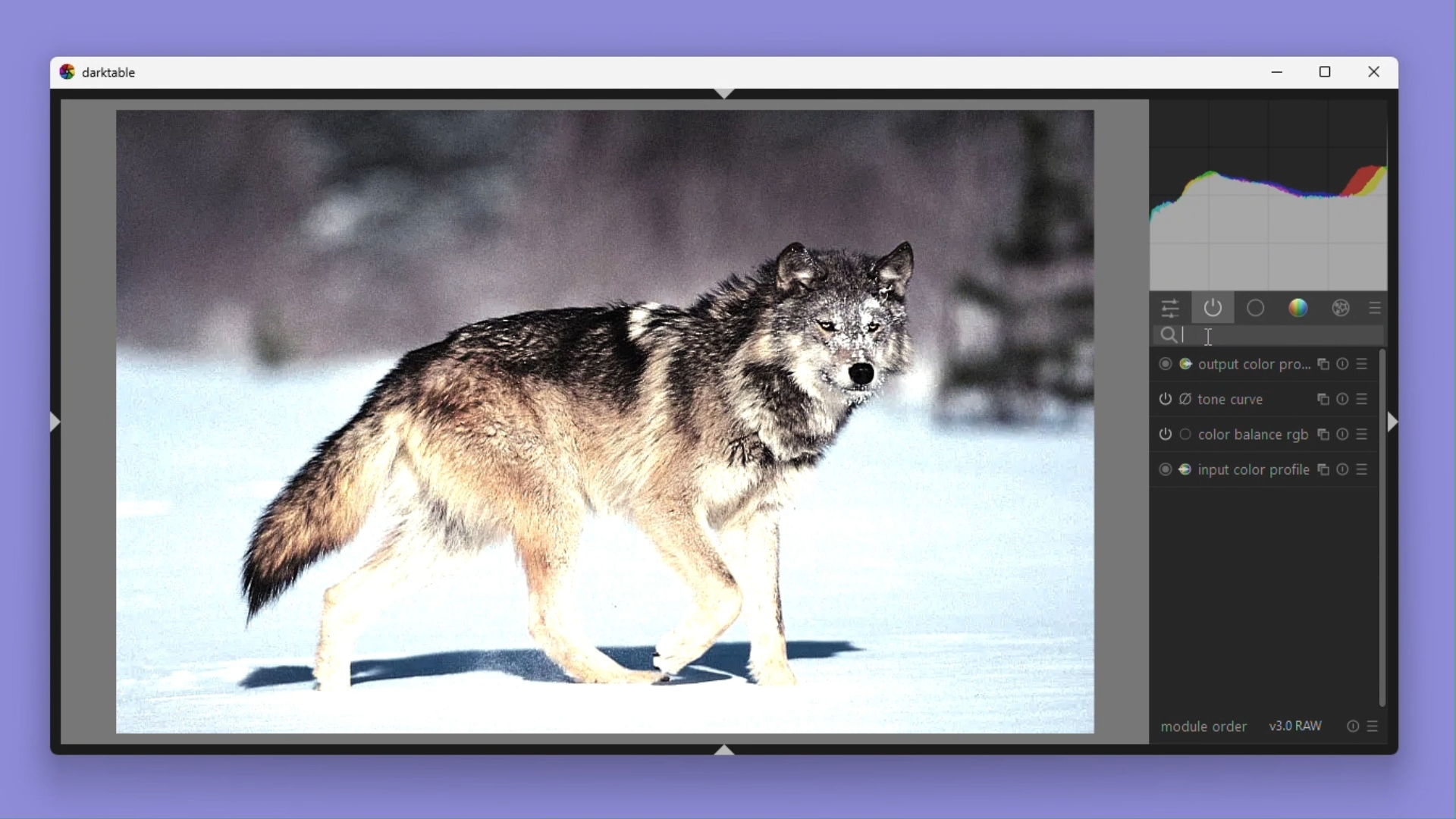  What do you see at coordinates (1214, 308) in the screenshot?
I see `Show only active modules` at bounding box center [1214, 308].